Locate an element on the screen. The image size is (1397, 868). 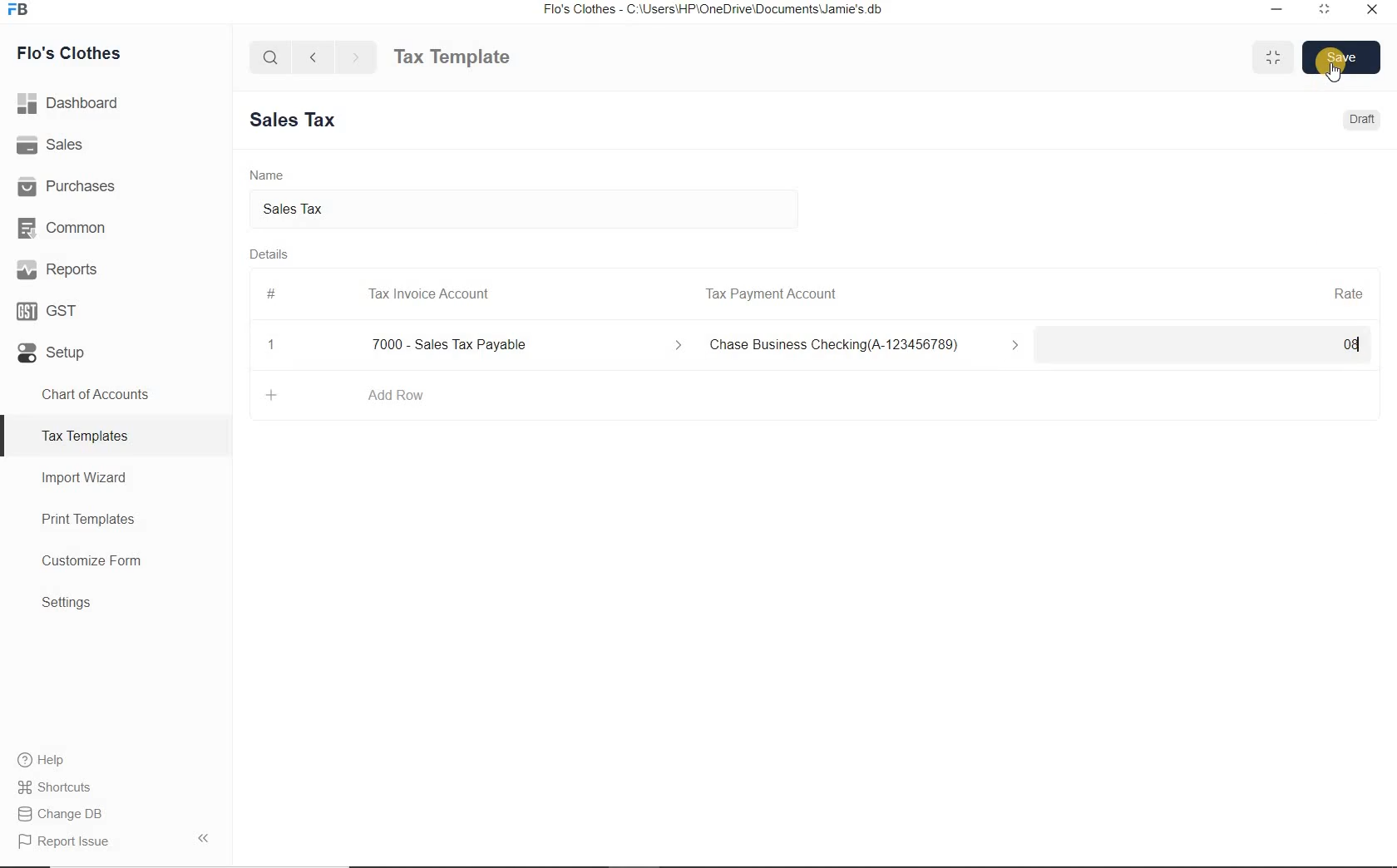
Search Bar is located at coordinates (271, 56).